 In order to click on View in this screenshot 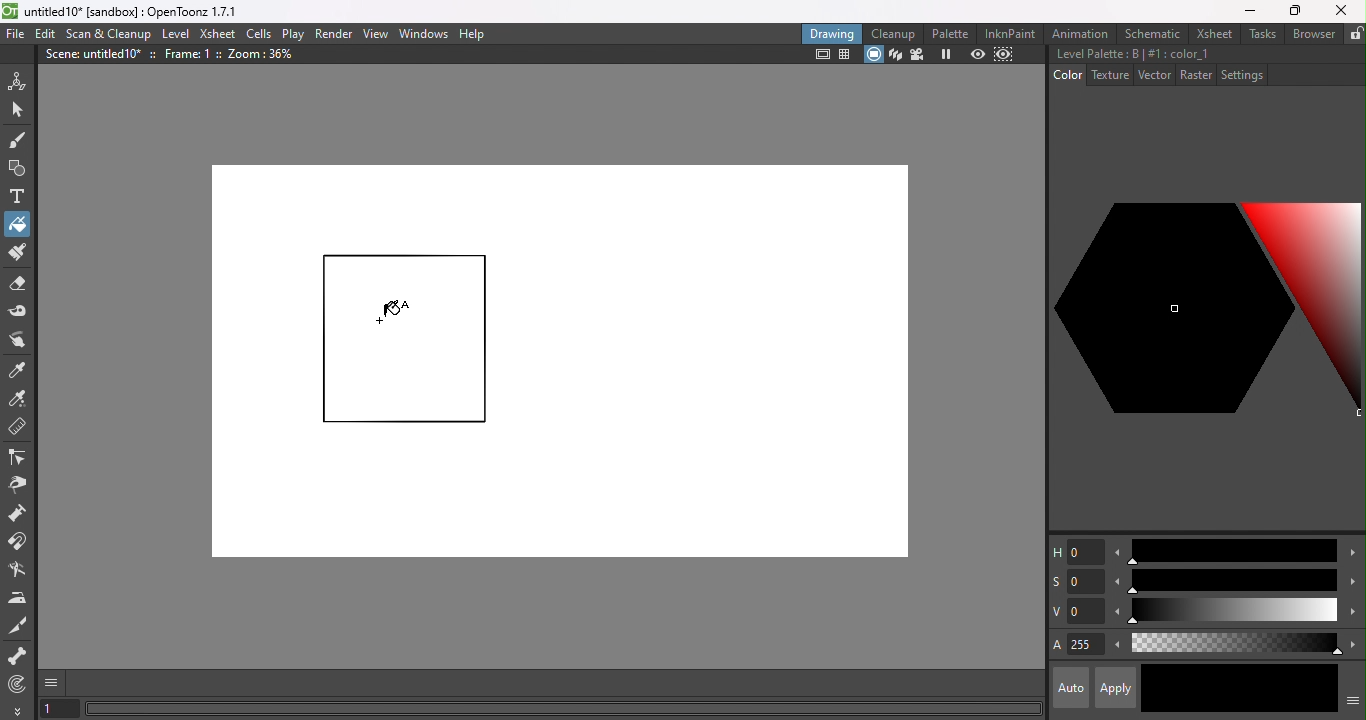, I will do `click(375, 34)`.